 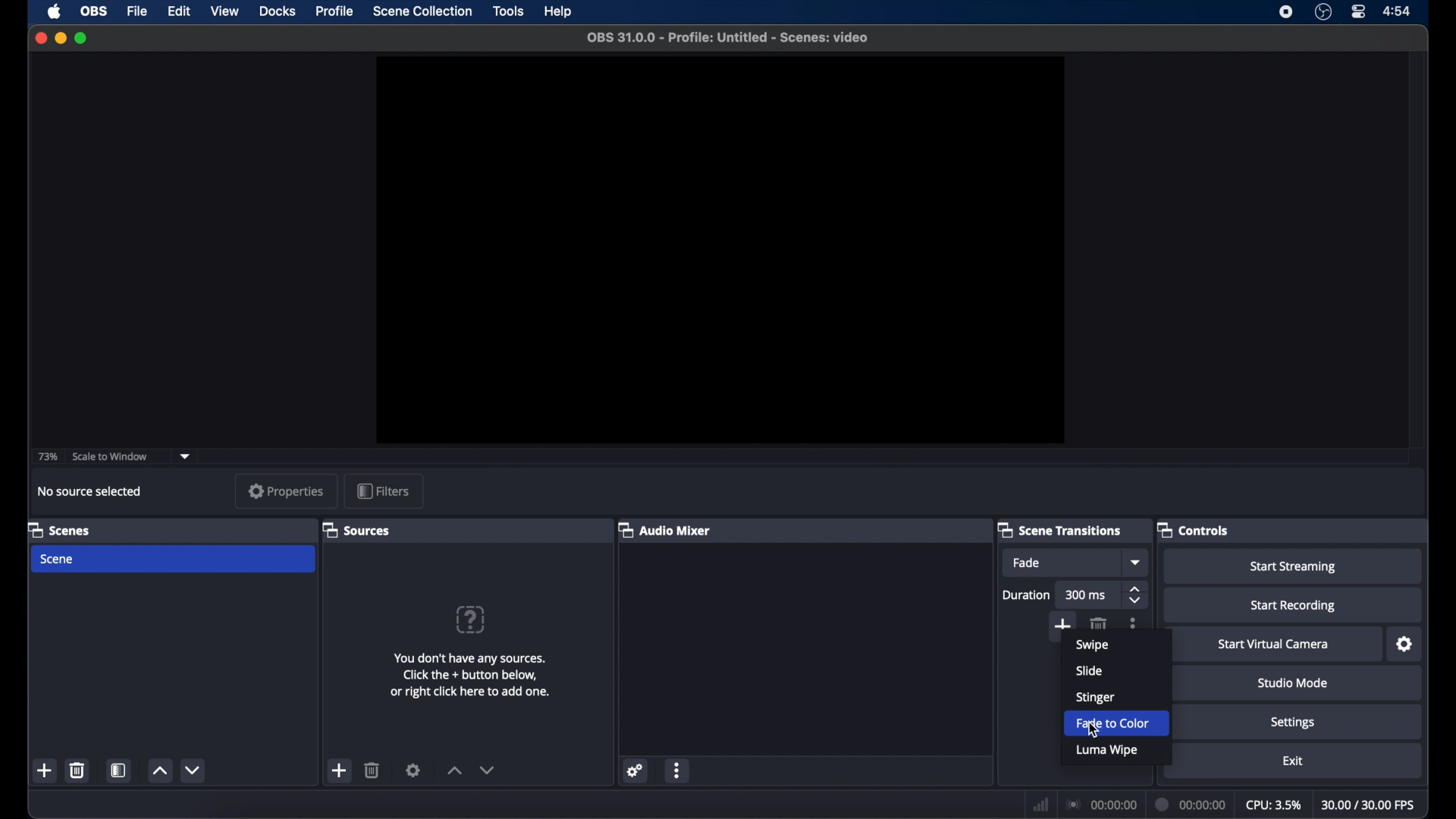 I want to click on stinger, so click(x=1095, y=698).